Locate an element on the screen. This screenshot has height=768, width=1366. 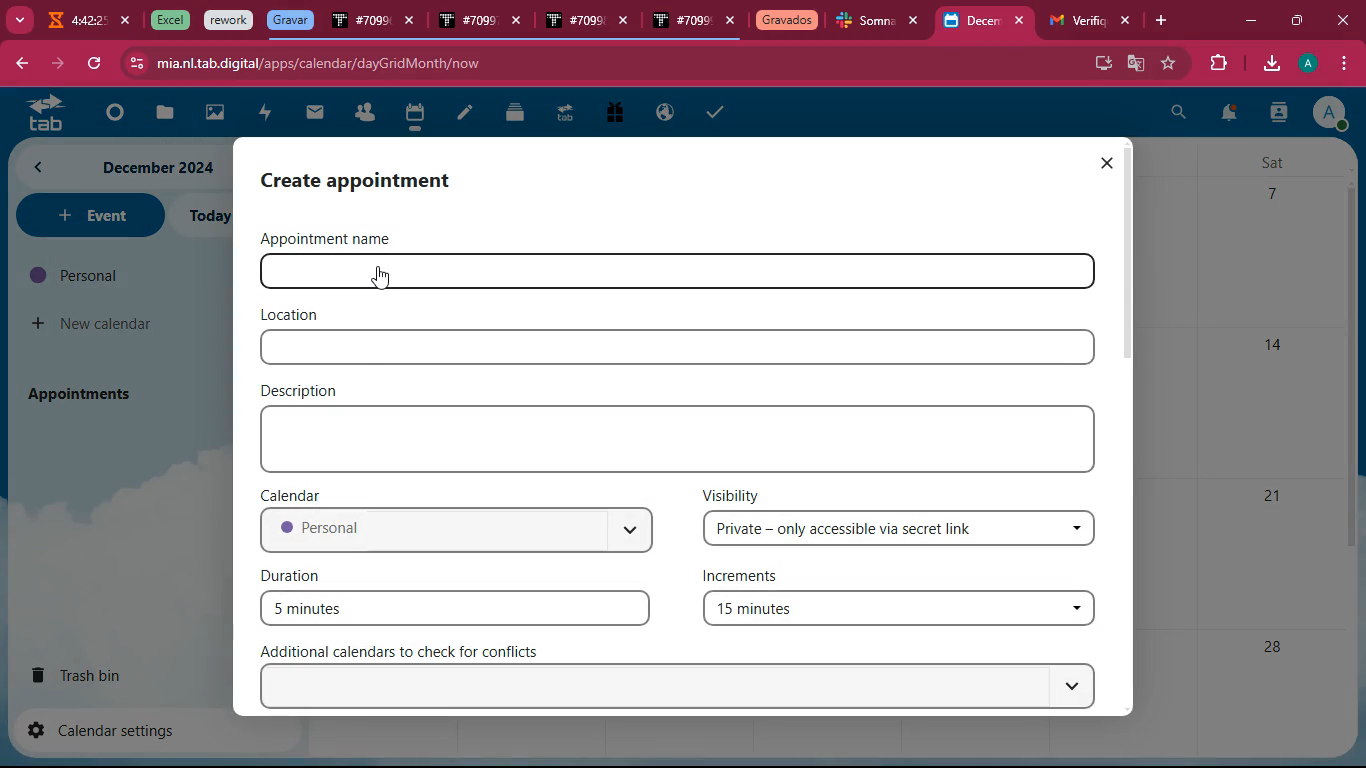
scroll bar is located at coordinates (1132, 253).